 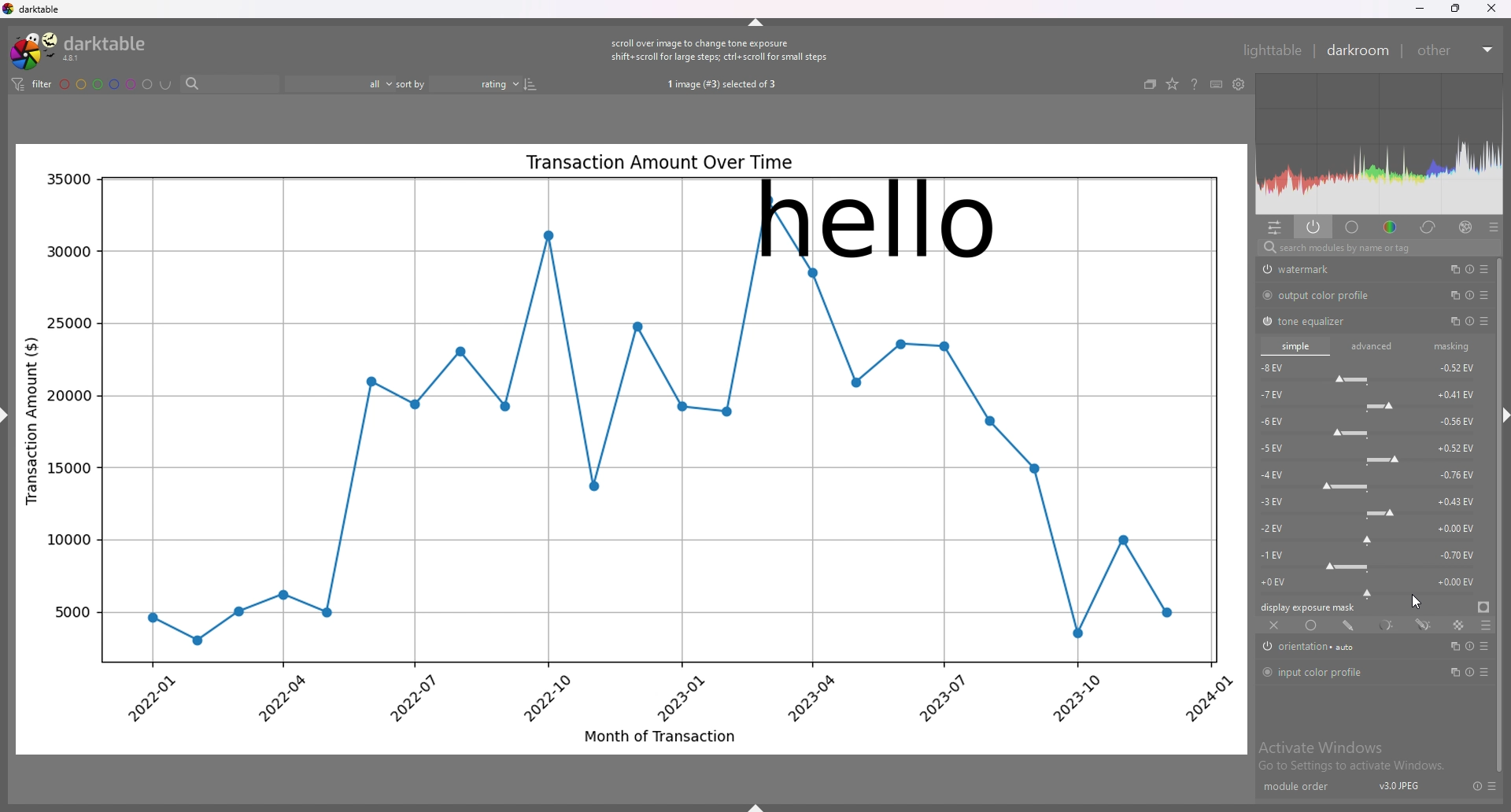 I want to click on 2024-01, so click(x=1207, y=699).